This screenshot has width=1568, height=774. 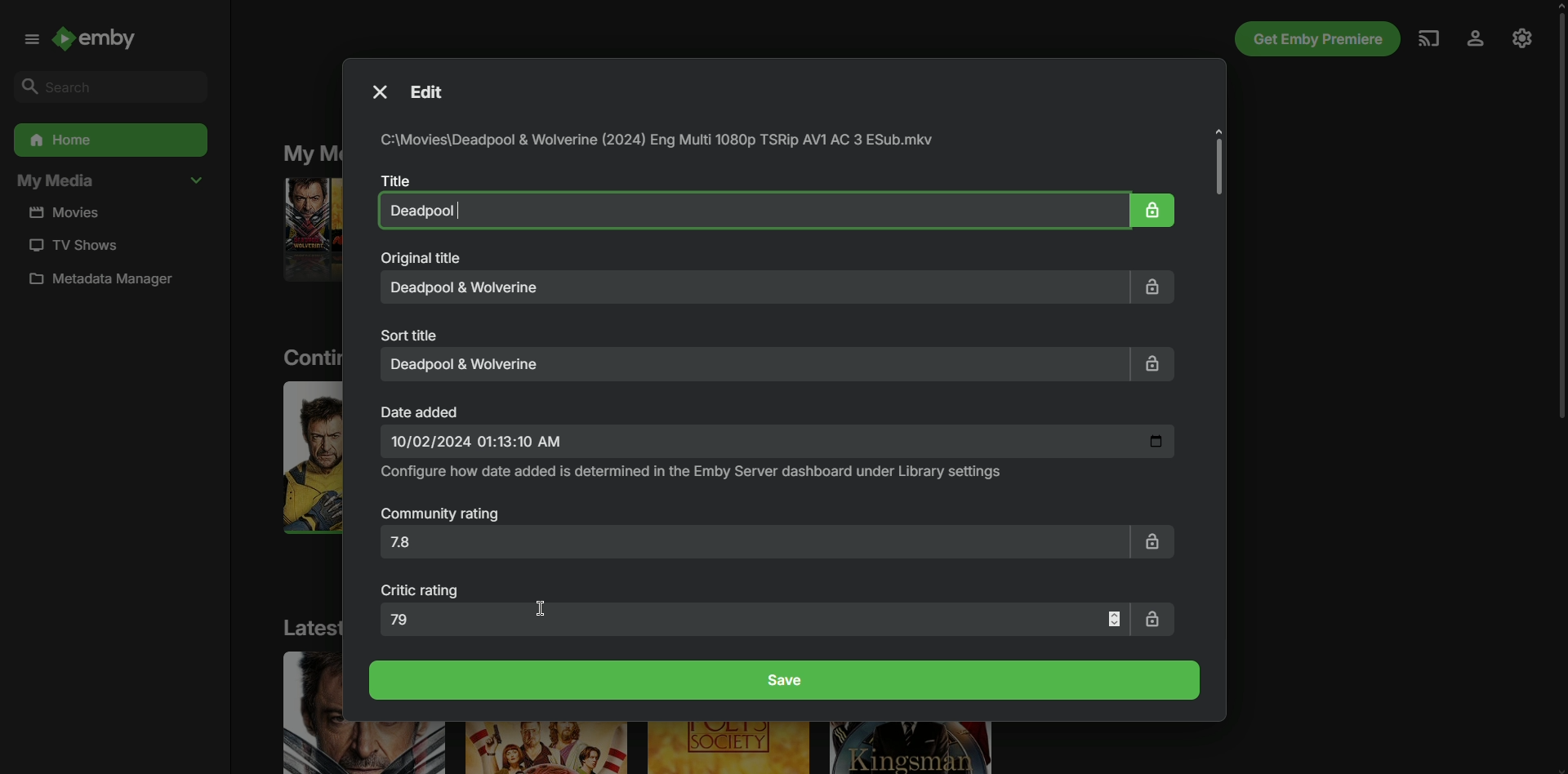 What do you see at coordinates (108, 282) in the screenshot?
I see `Metadata manager` at bounding box center [108, 282].